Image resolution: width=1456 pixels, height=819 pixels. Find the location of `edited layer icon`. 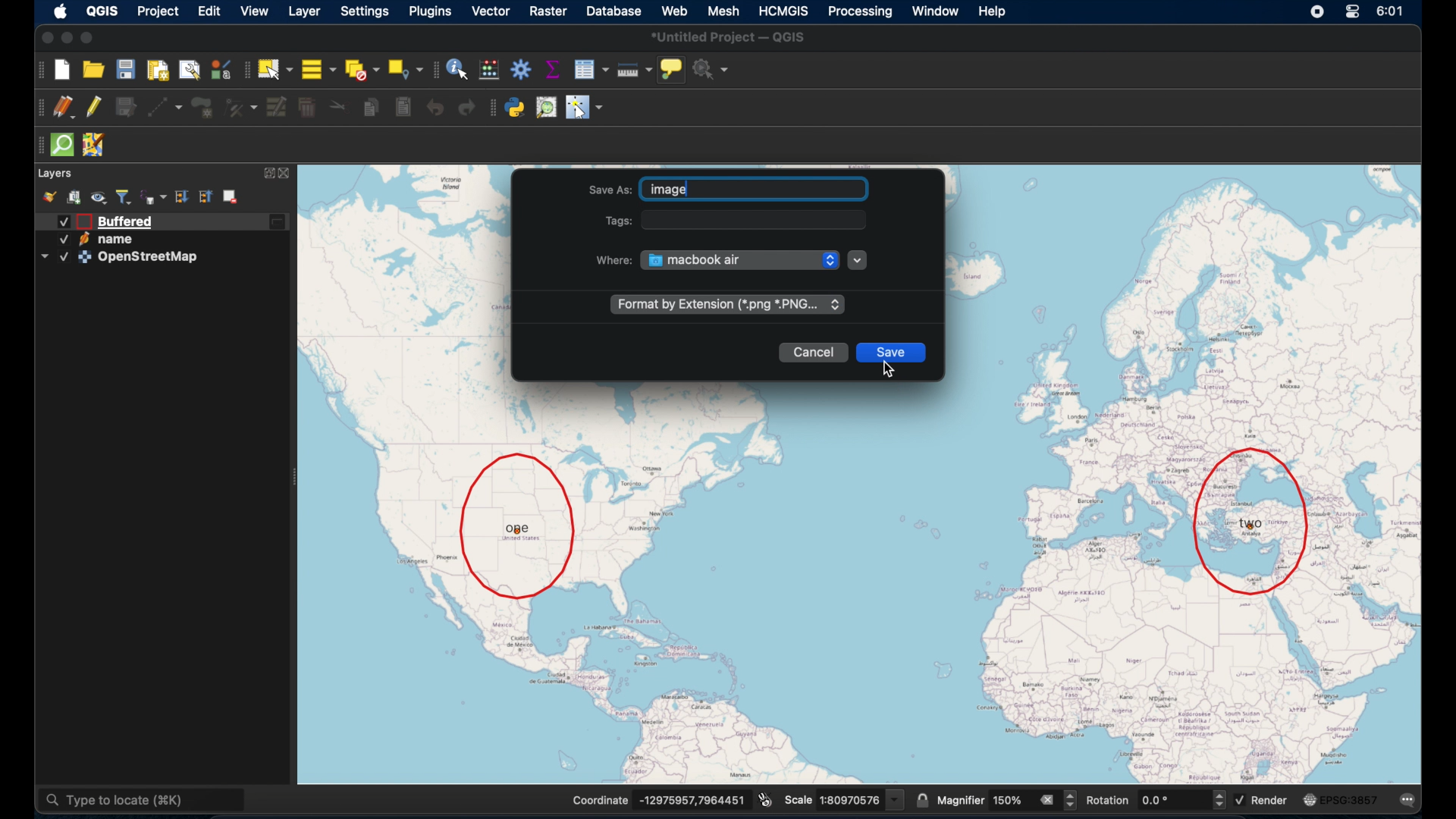

edited layer icon is located at coordinates (280, 223).